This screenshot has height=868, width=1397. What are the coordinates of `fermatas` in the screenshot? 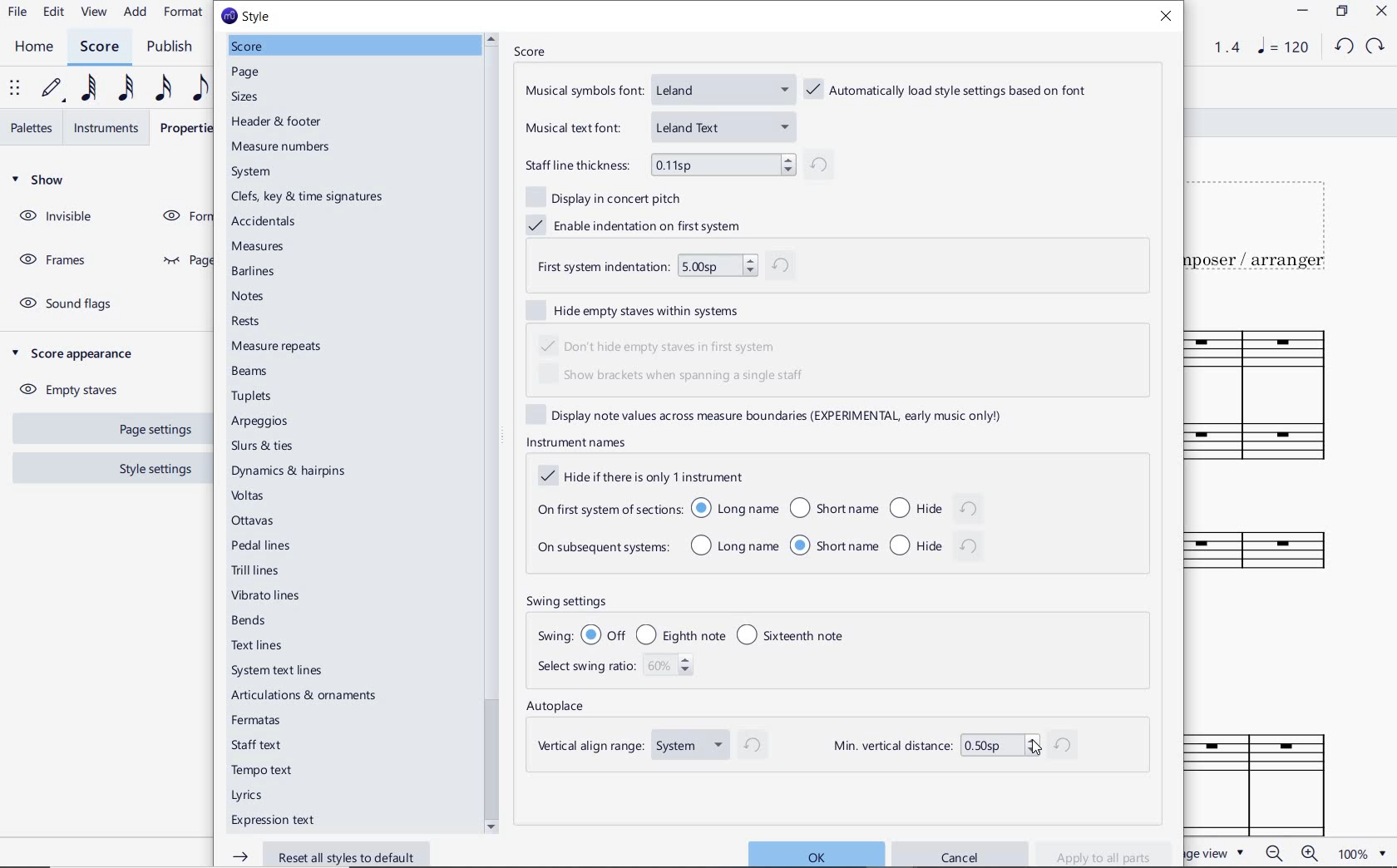 It's located at (257, 721).